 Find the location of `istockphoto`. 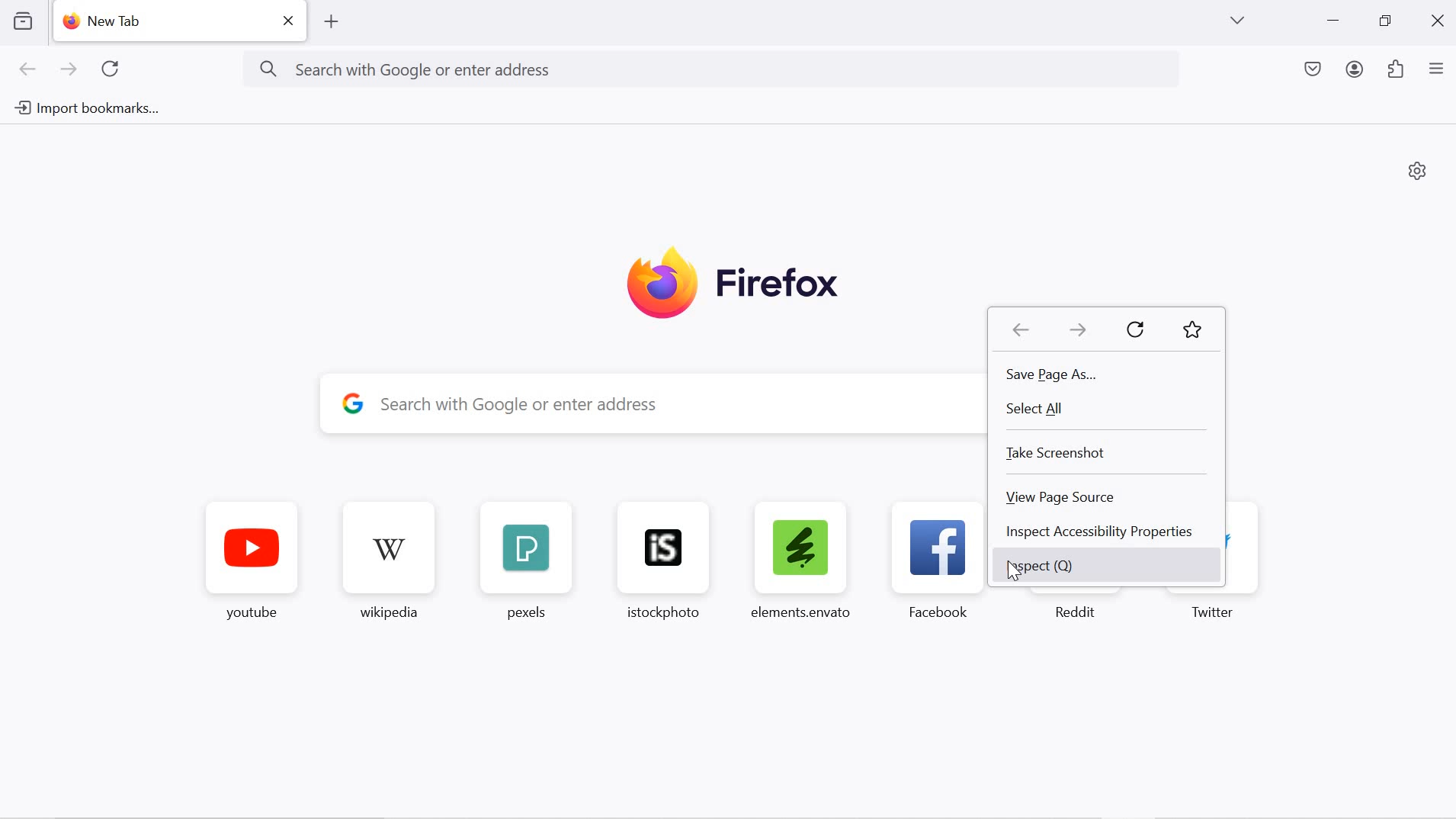

istockphoto is located at coordinates (670, 569).